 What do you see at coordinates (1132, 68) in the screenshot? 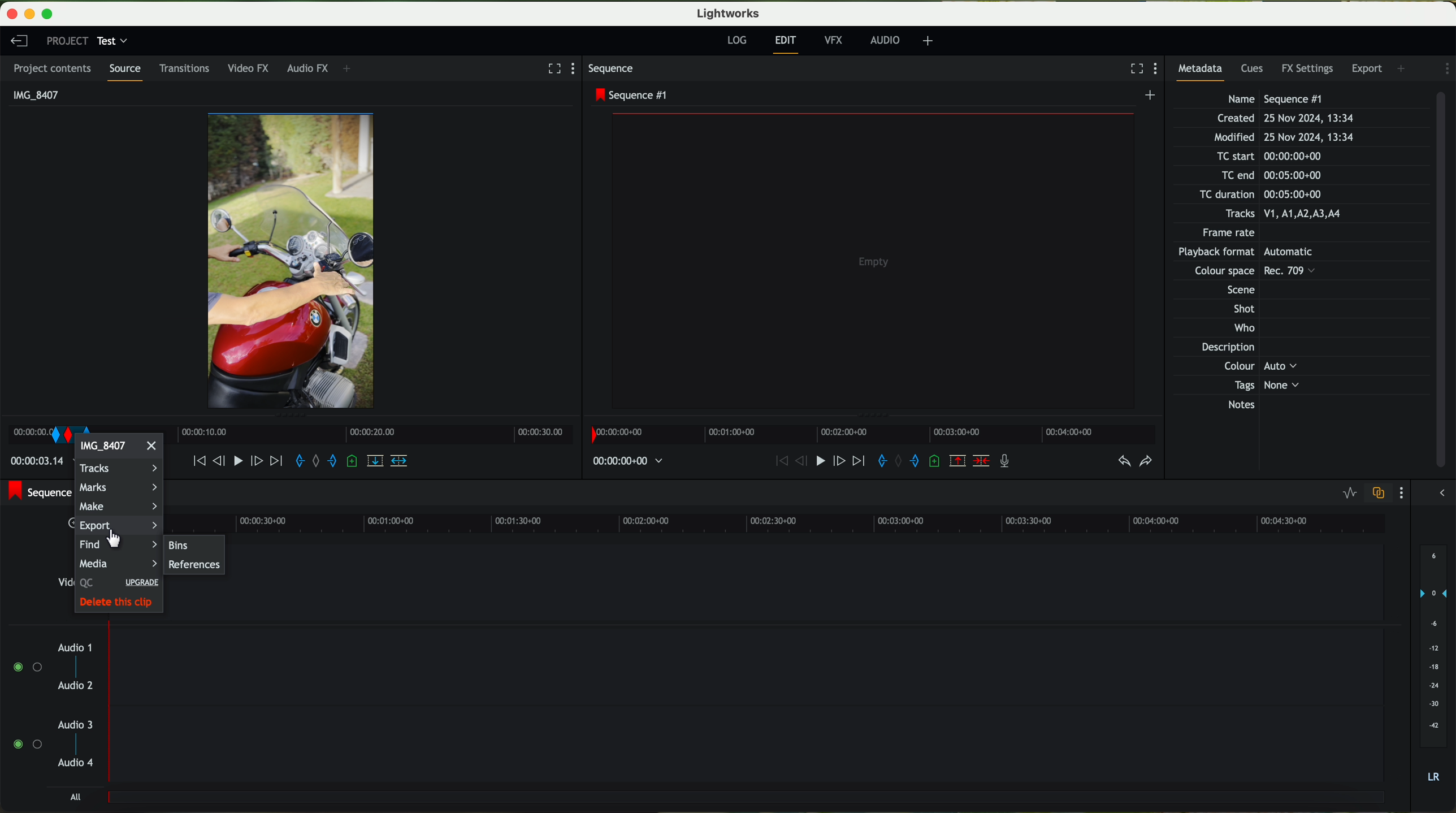
I see `fullscreen` at bounding box center [1132, 68].